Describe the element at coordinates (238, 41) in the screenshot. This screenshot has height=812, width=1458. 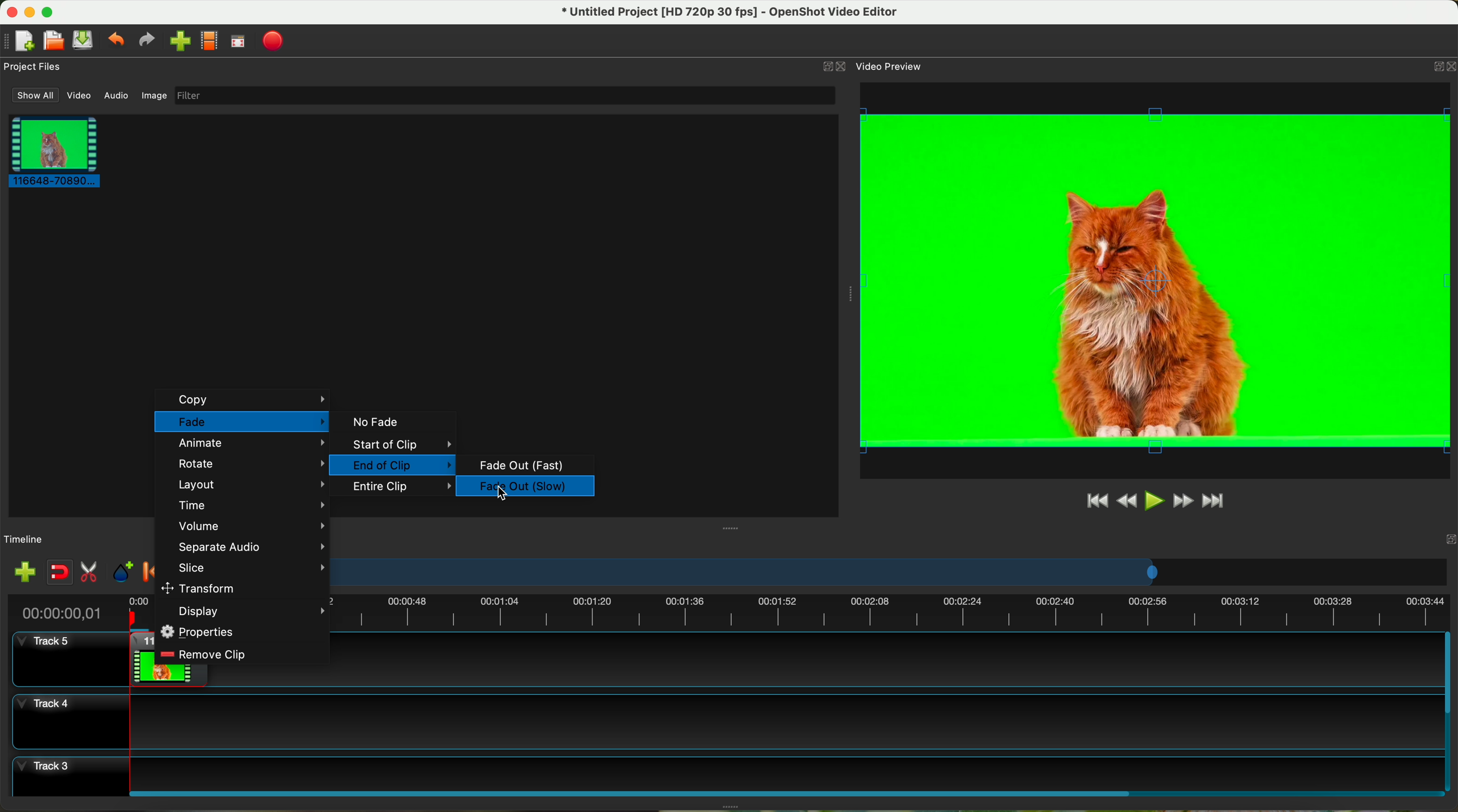
I see `full screen` at that location.